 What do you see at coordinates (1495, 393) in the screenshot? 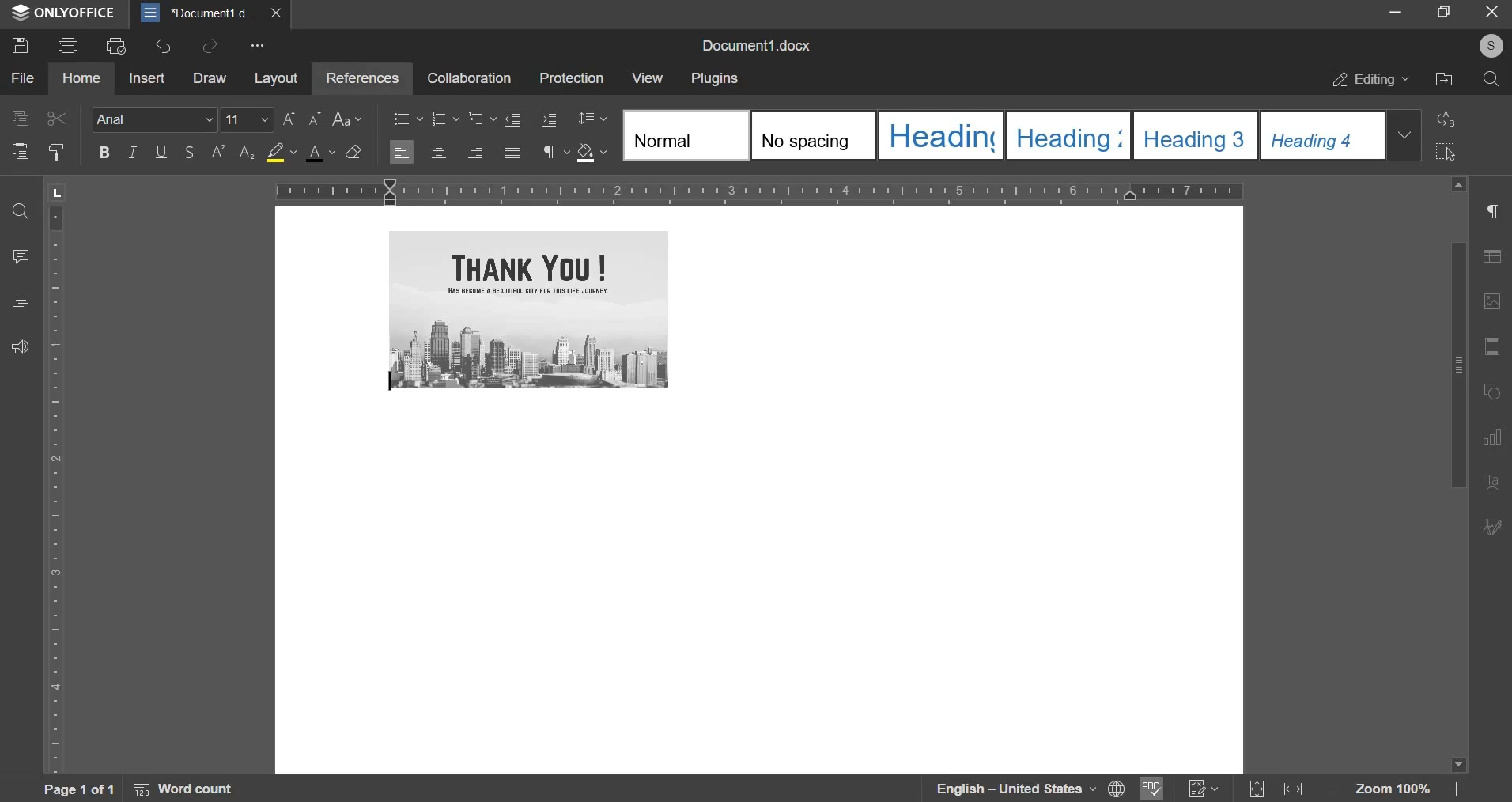
I see `rotate` at bounding box center [1495, 393].